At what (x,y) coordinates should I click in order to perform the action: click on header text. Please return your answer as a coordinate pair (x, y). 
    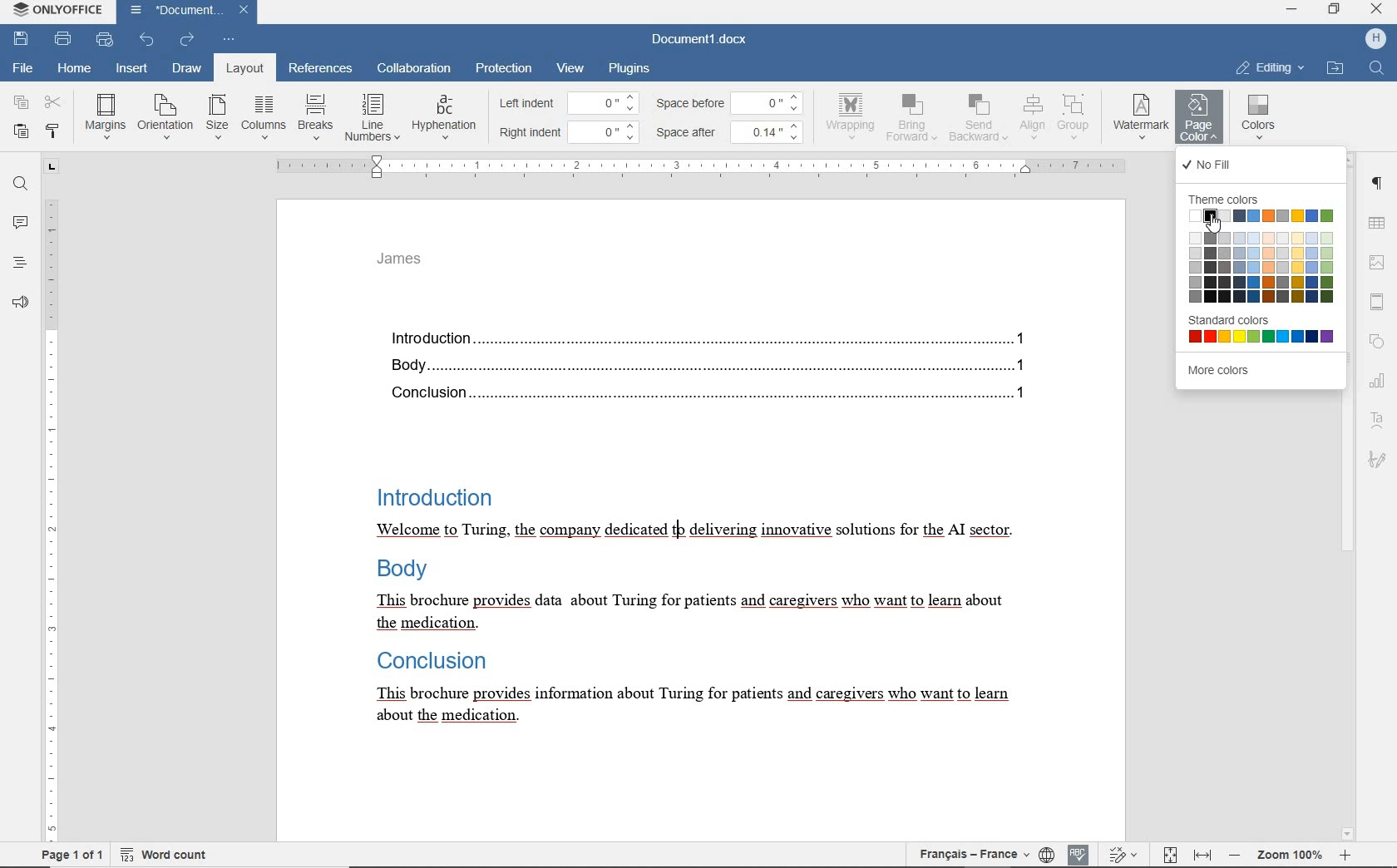
    Looking at the image, I should click on (417, 259).